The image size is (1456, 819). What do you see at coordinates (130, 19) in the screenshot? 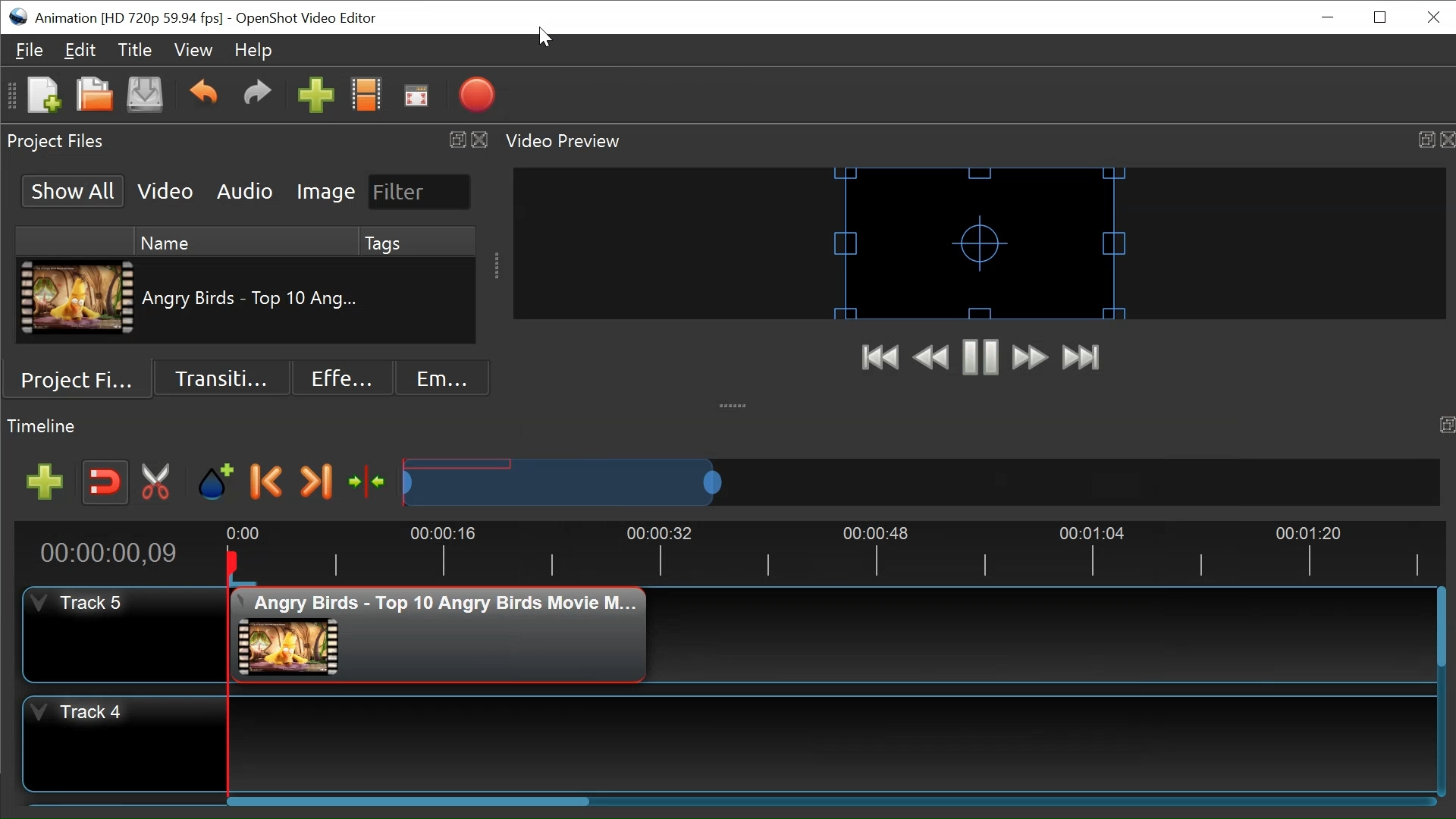
I see `Project Name` at bounding box center [130, 19].